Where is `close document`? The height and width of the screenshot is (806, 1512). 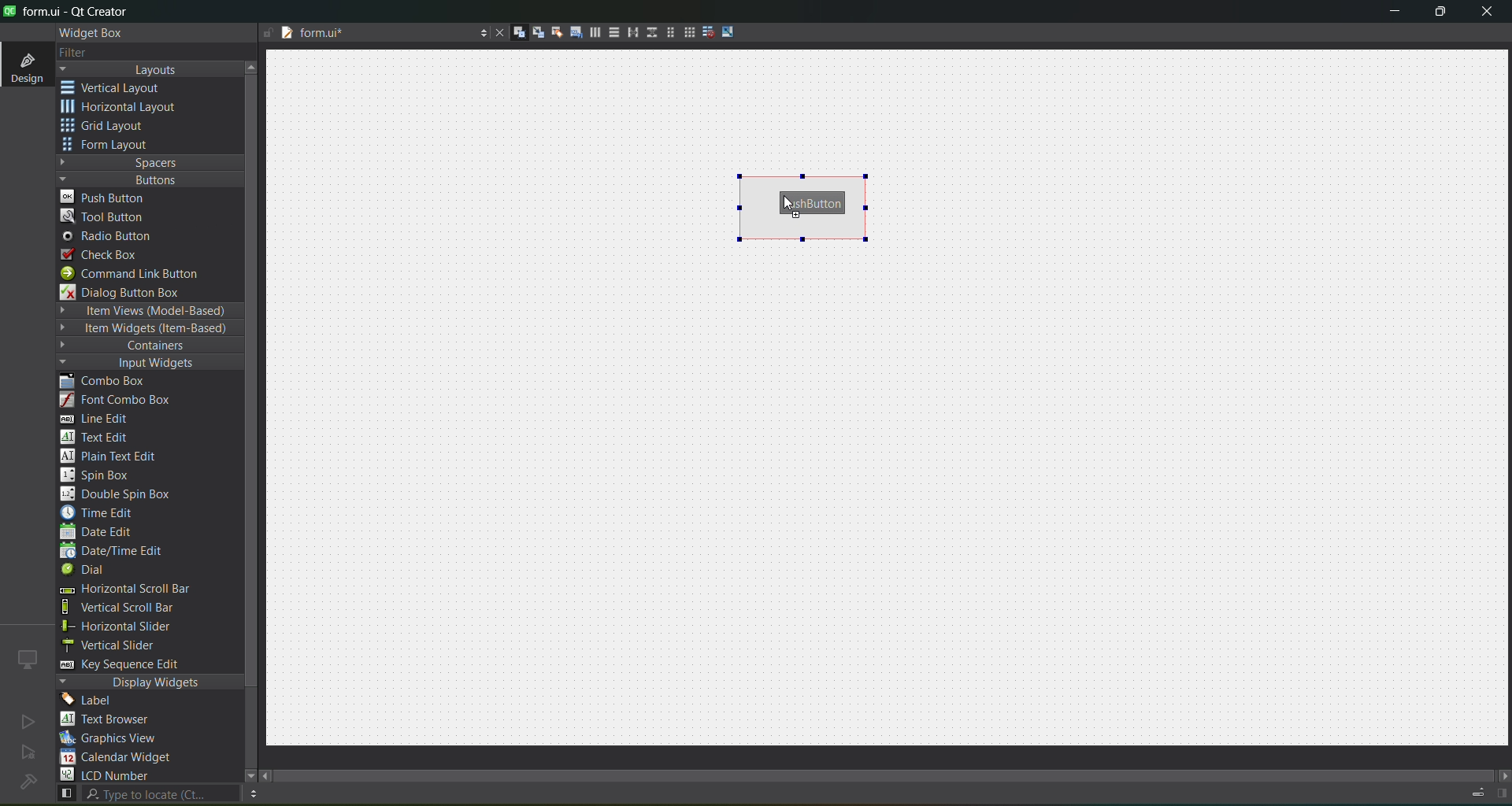 close document is located at coordinates (496, 34).